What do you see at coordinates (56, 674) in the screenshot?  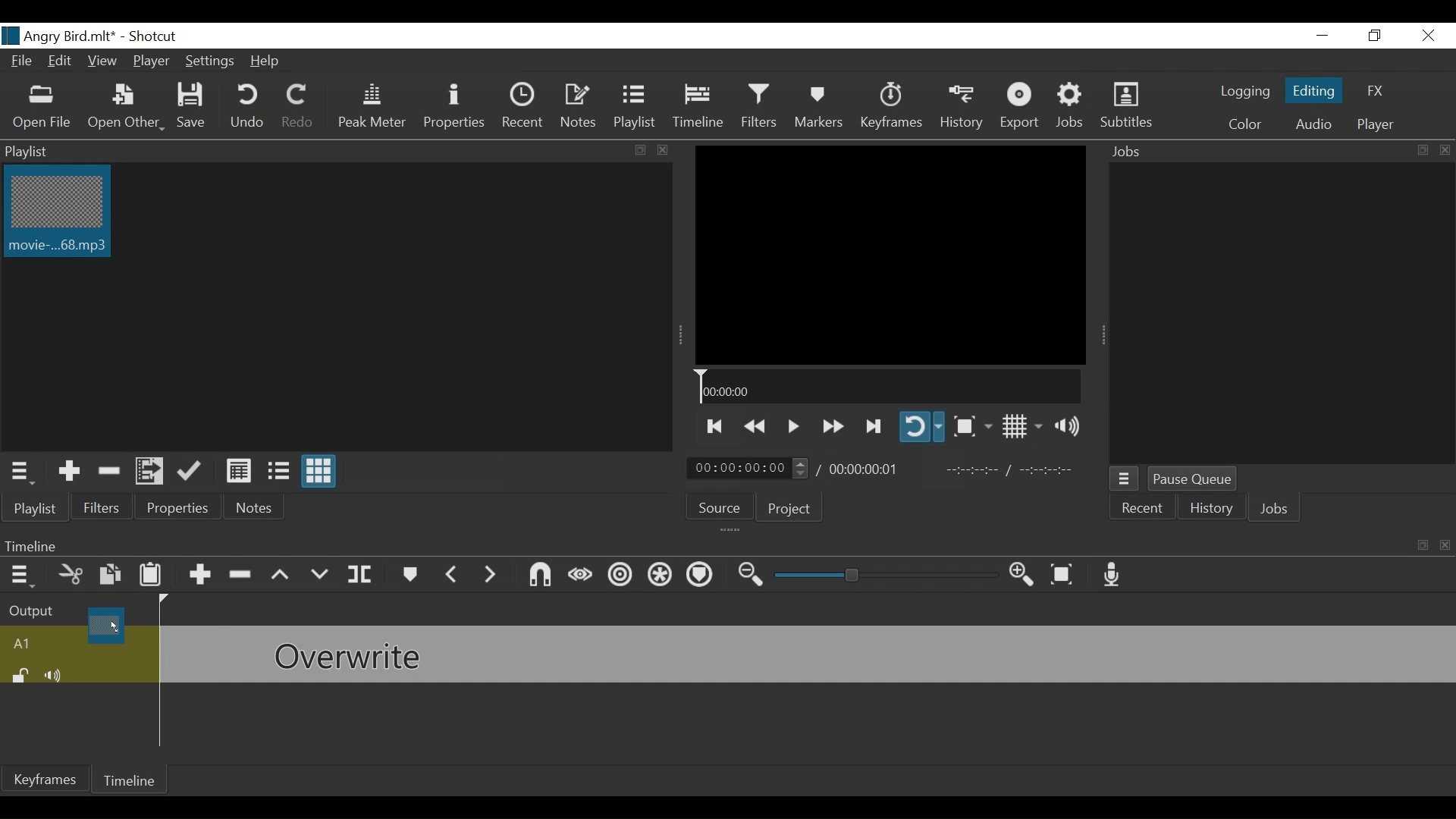 I see `Mute` at bounding box center [56, 674].